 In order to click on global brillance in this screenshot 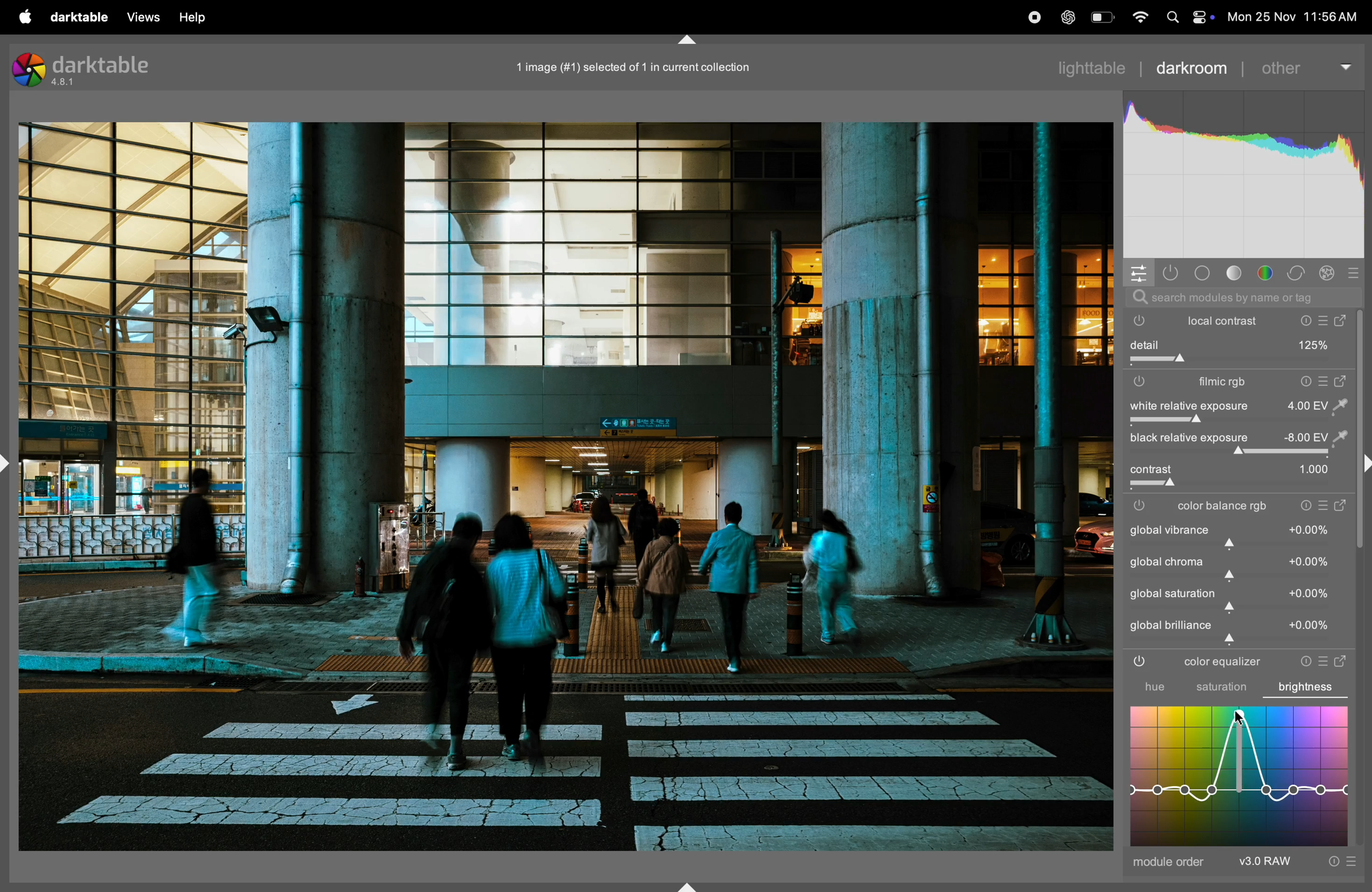, I will do `click(1171, 625)`.